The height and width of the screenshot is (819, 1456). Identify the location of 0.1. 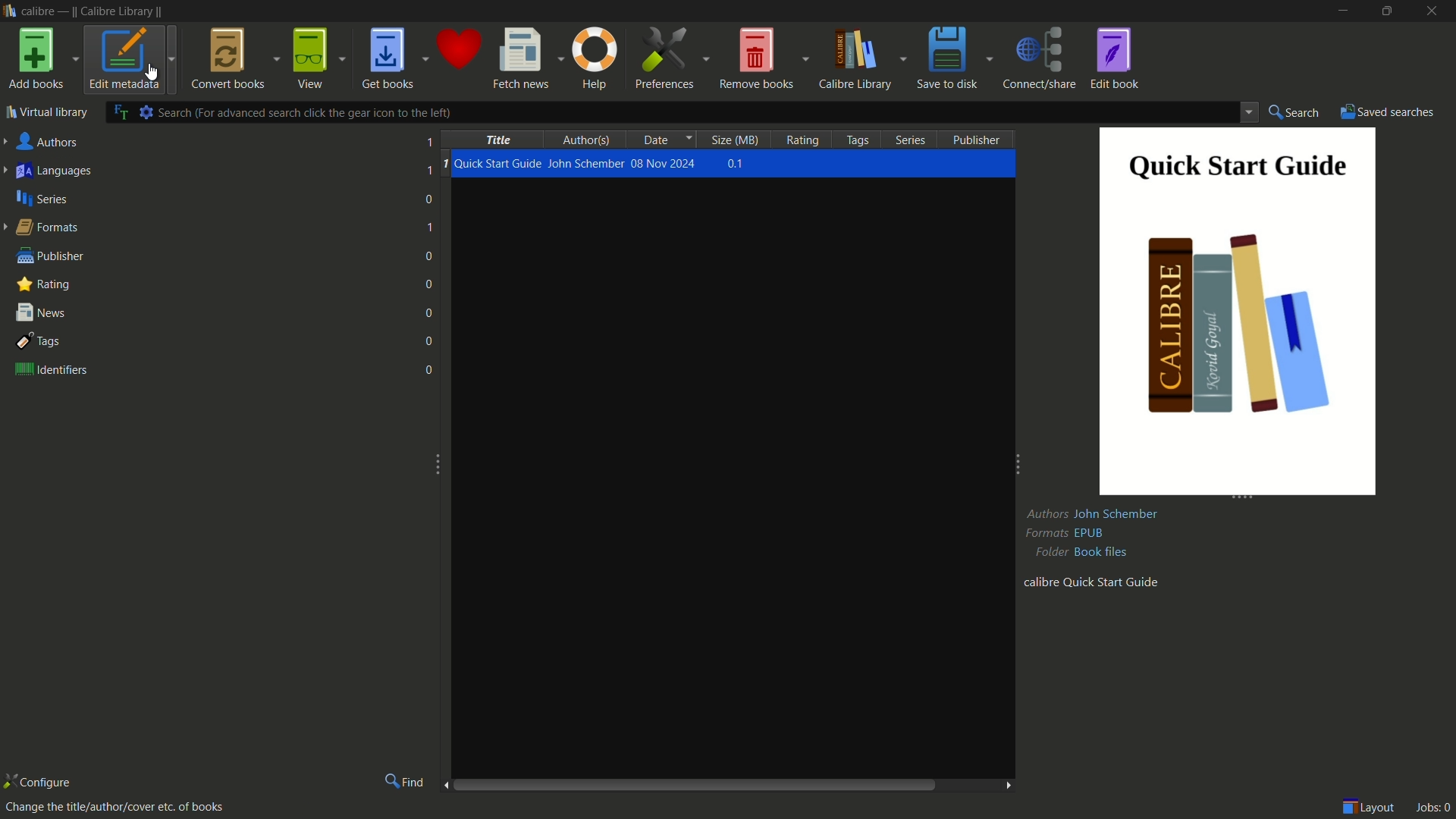
(733, 165).